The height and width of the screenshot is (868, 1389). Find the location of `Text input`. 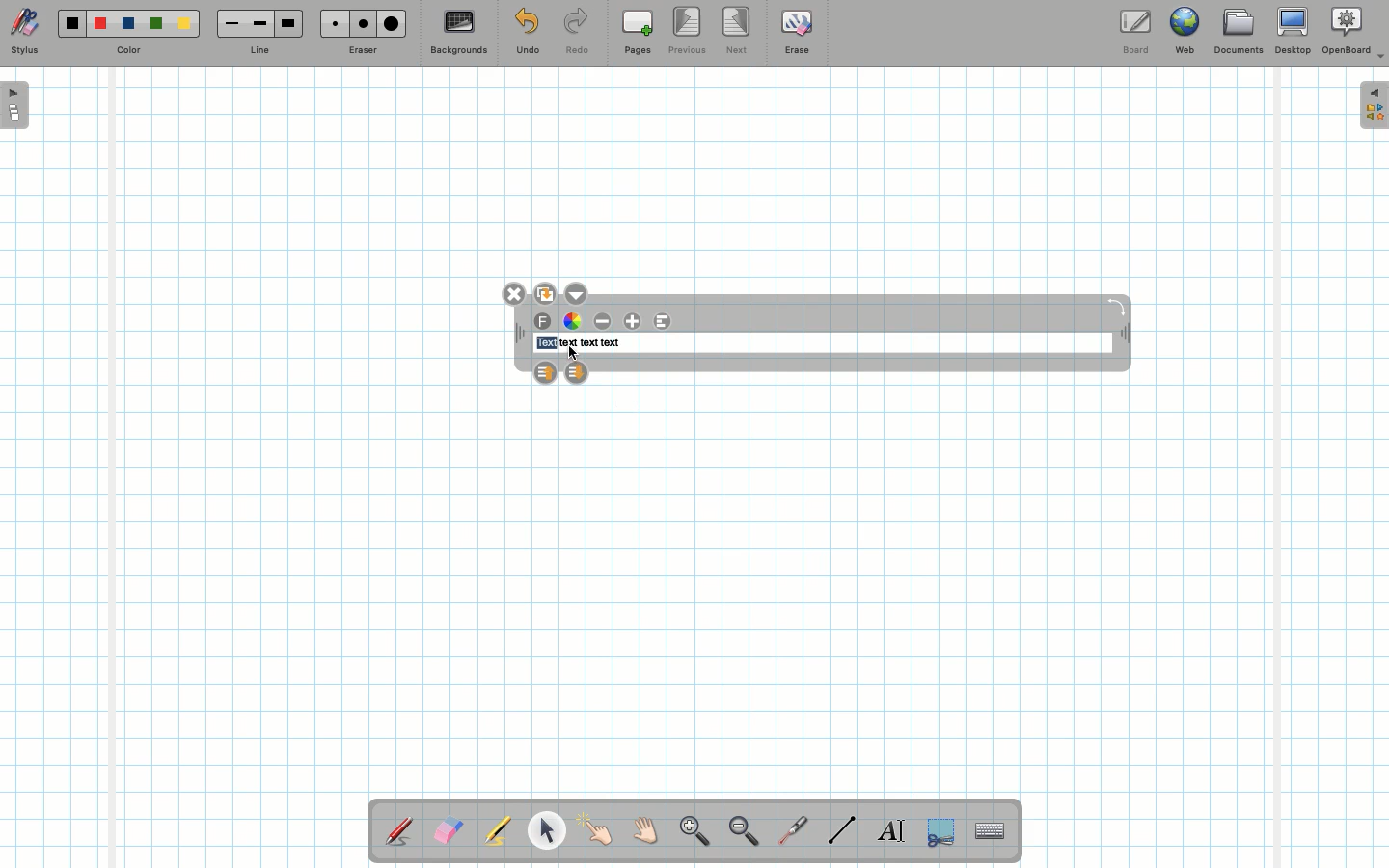

Text input is located at coordinates (991, 826).